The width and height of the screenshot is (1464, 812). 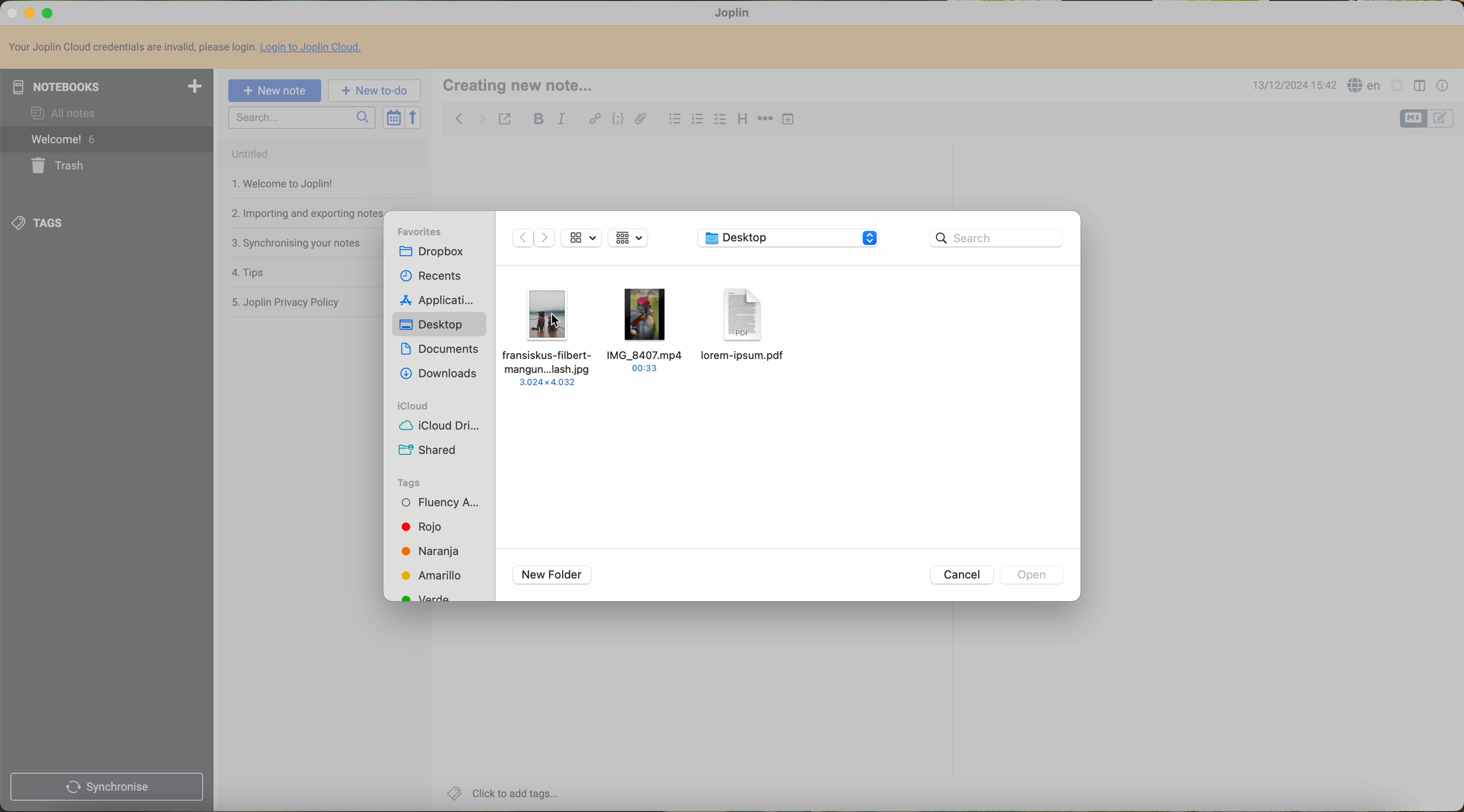 What do you see at coordinates (1292, 86) in the screenshot?
I see `date and hour` at bounding box center [1292, 86].